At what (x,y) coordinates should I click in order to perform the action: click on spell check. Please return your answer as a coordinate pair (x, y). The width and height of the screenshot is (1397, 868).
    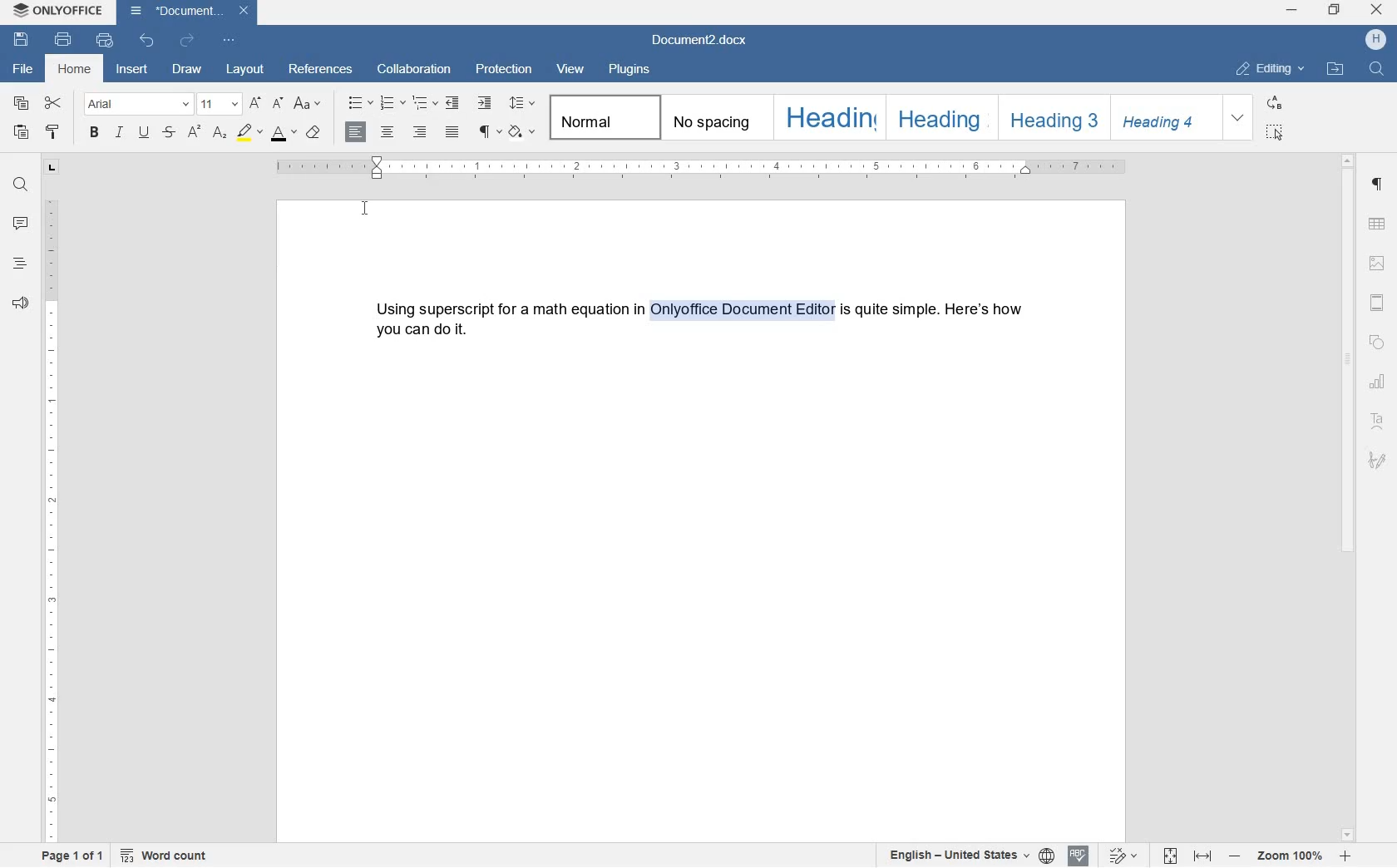
    Looking at the image, I should click on (1077, 856).